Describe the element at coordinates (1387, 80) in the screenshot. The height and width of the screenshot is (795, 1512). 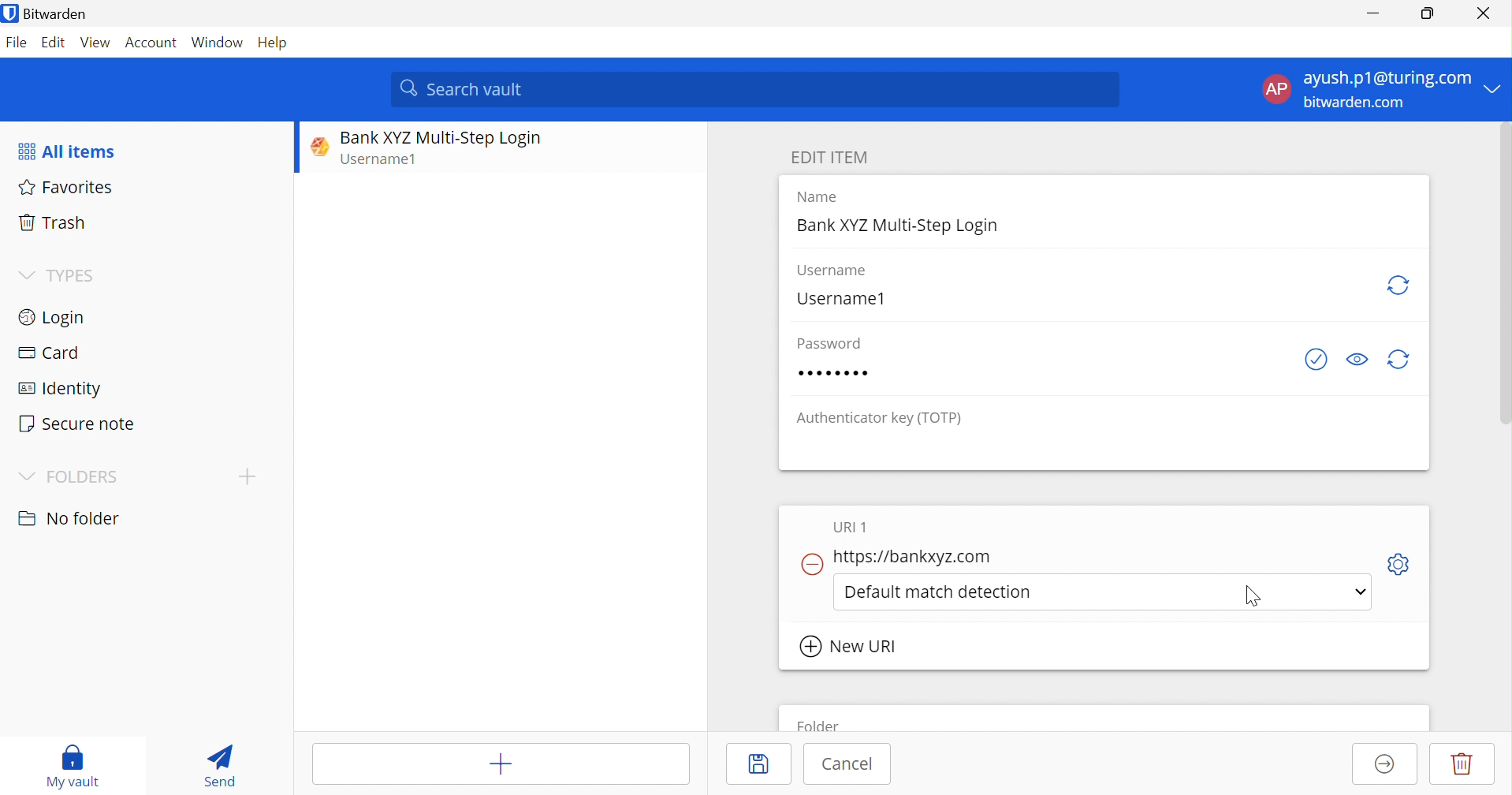
I see `ayush.p1@turing.com` at that location.